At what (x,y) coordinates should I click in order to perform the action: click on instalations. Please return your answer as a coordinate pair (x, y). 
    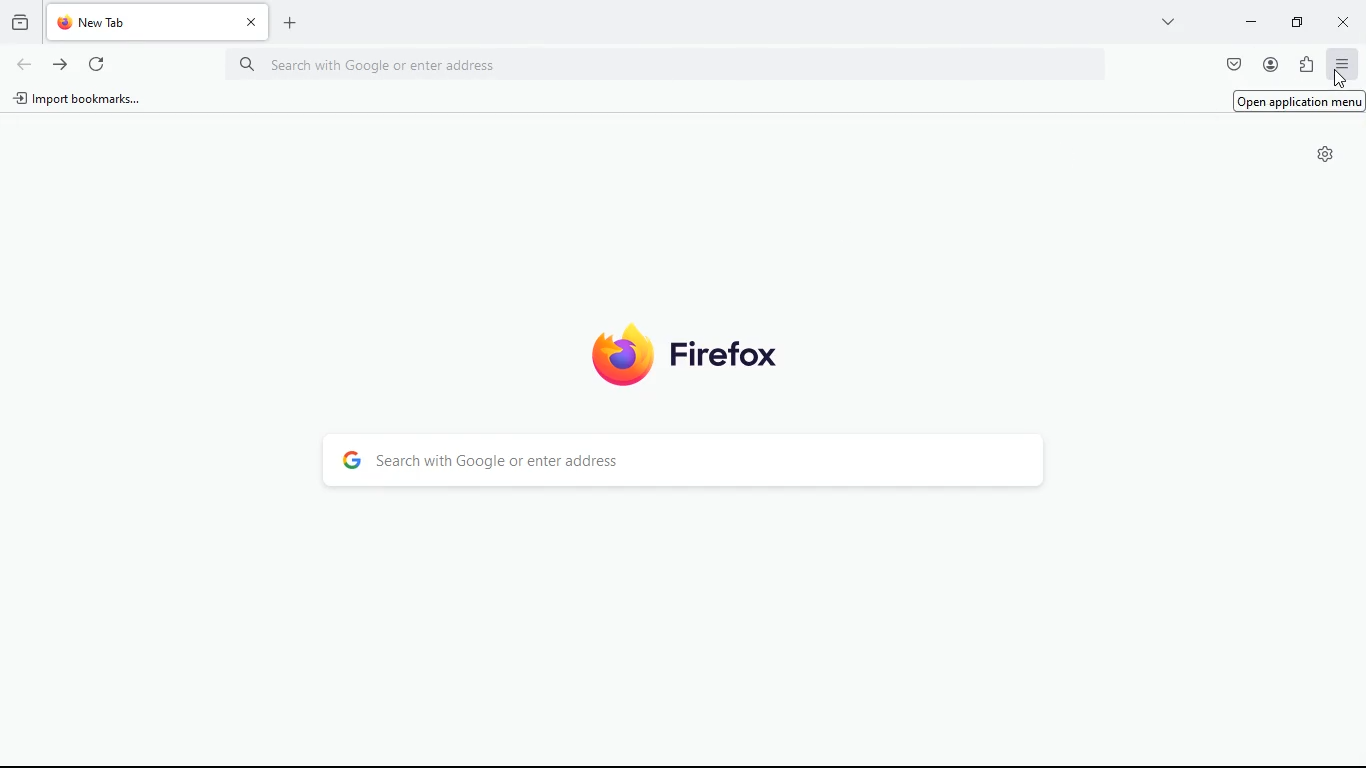
    Looking at the image, I should click on (1305, 65).